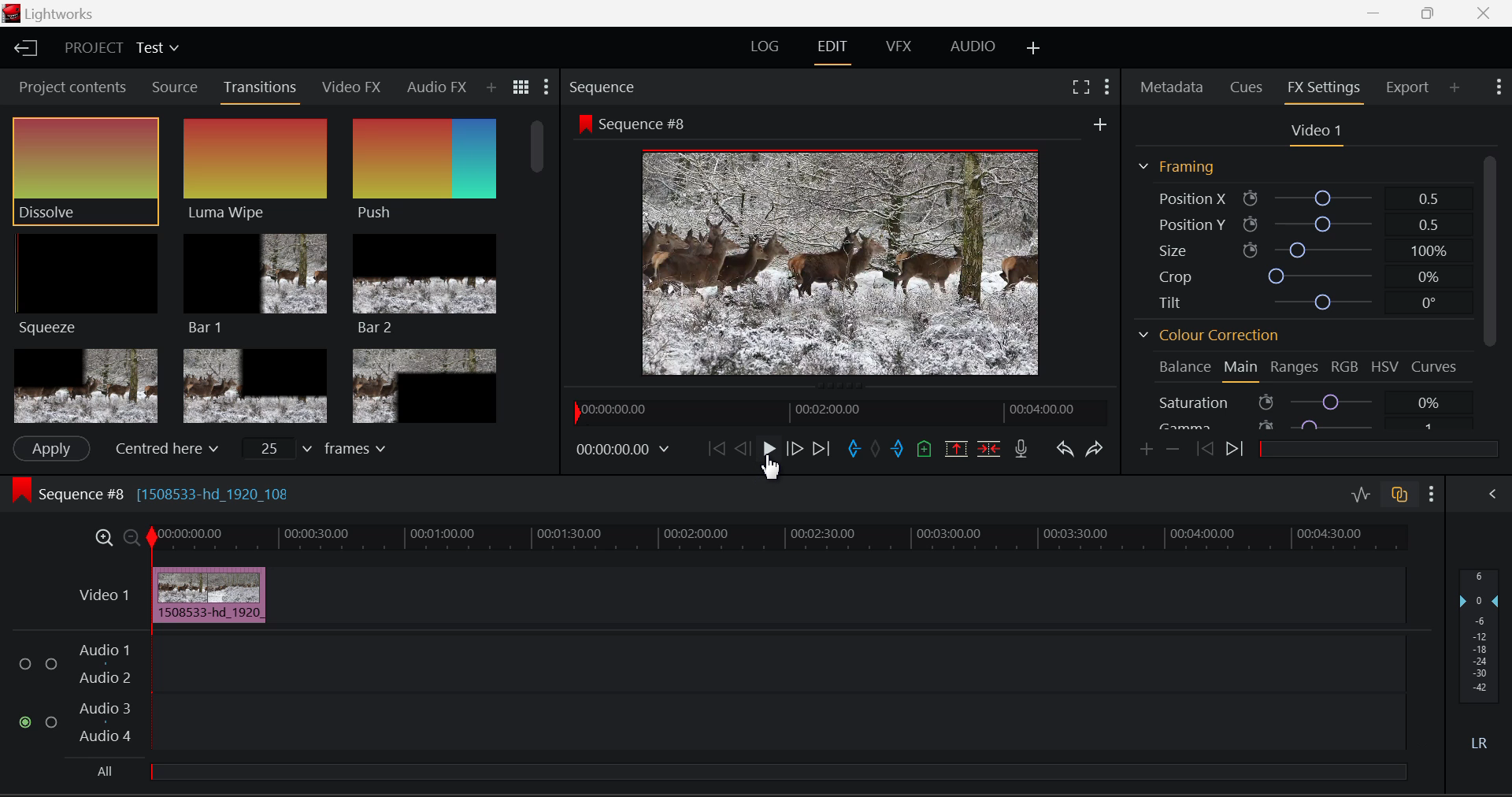 This screenshot has width=1512, height=797. Describe the element at coordinates (424, 284) in the screenshot. I see `Bar 2` at that location.